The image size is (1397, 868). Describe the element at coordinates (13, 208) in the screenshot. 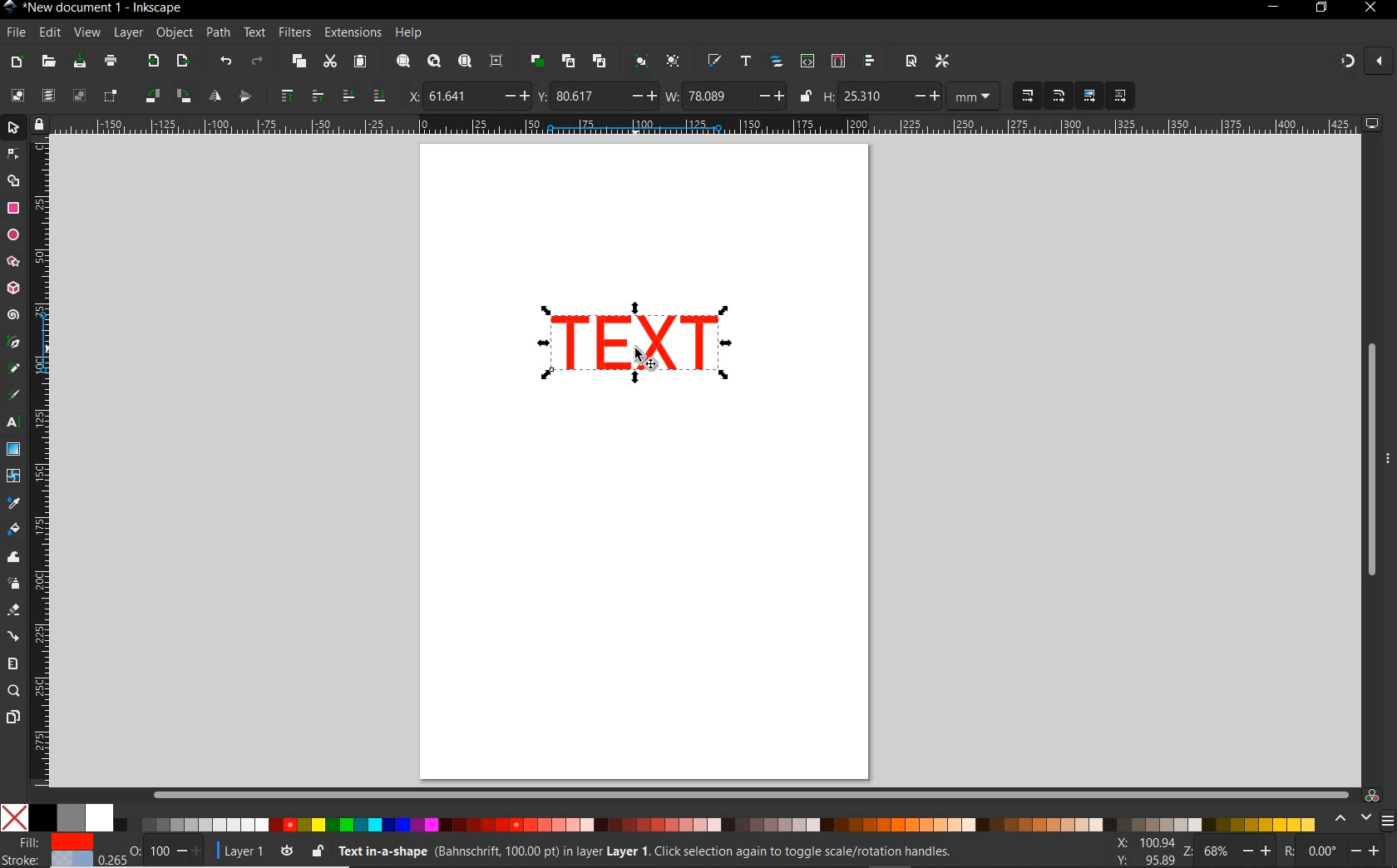

I see `rectangle tool` at that location.